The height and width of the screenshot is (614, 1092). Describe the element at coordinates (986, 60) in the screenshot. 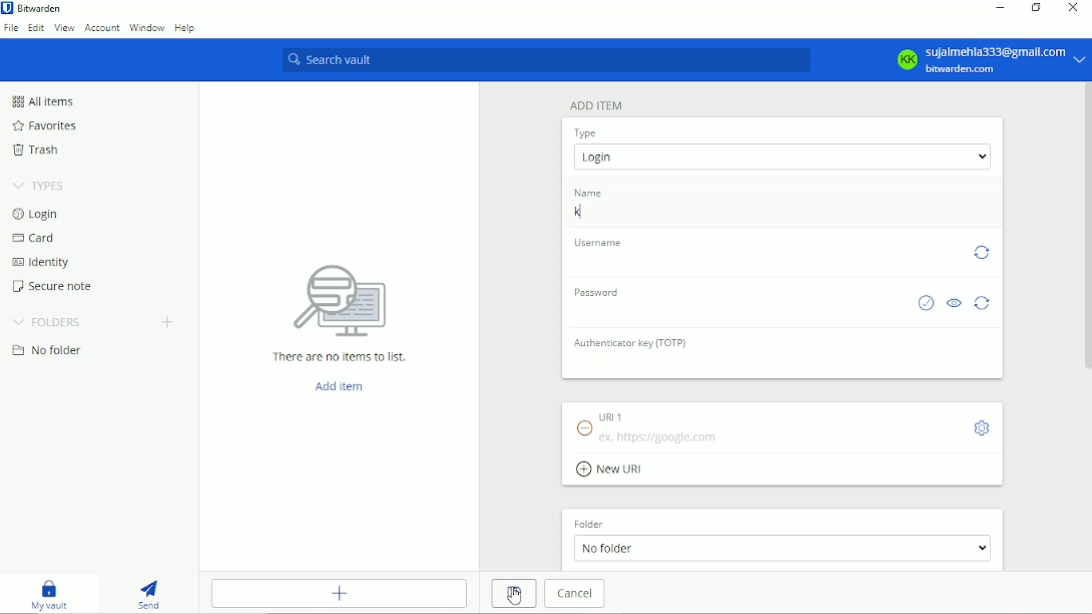

I see `KK sujalmehla333@gmail.com         bitwarden.com` at that location.